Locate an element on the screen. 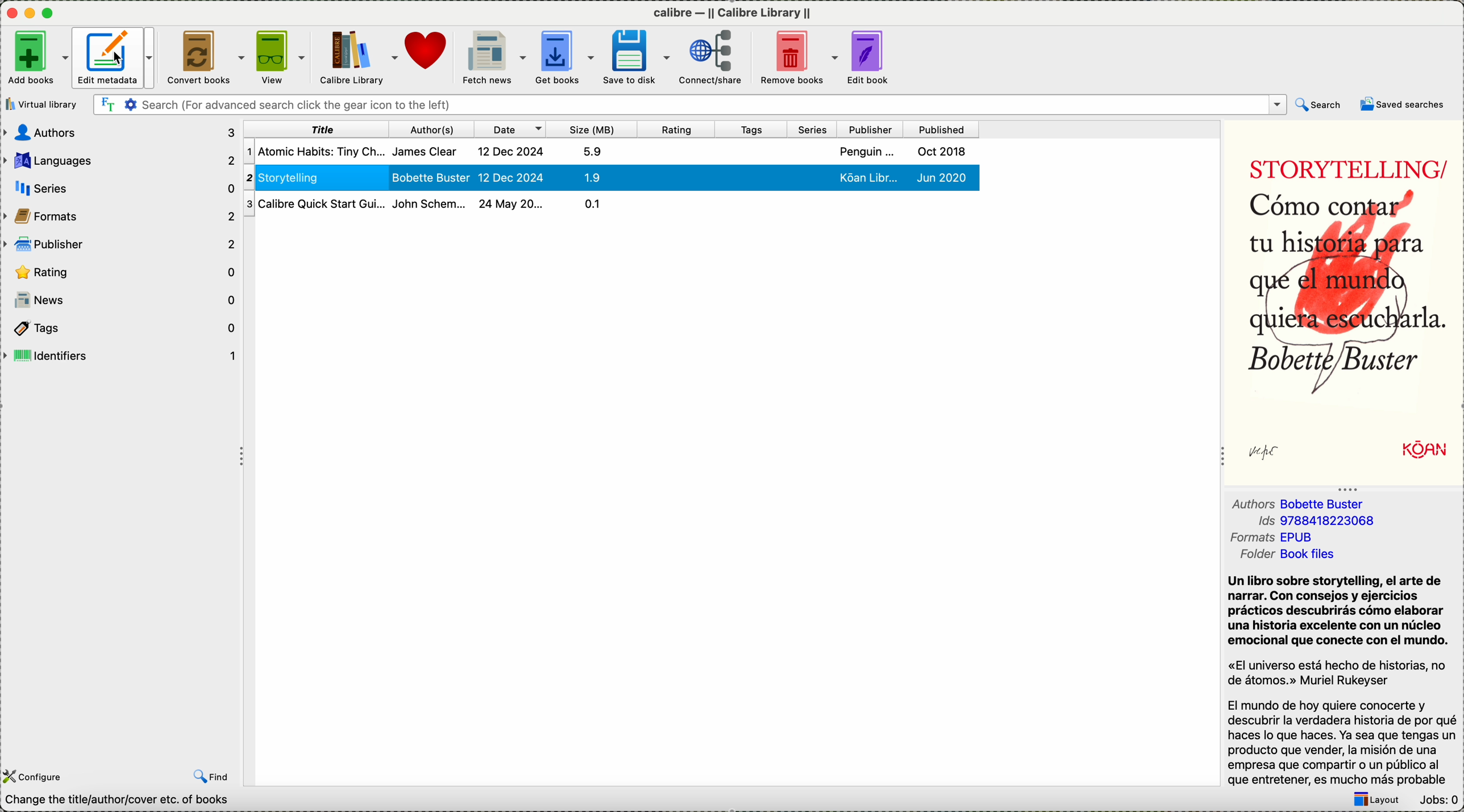 This screenshot has width=1464, height=812. languages is located at coordinates (122, 159).